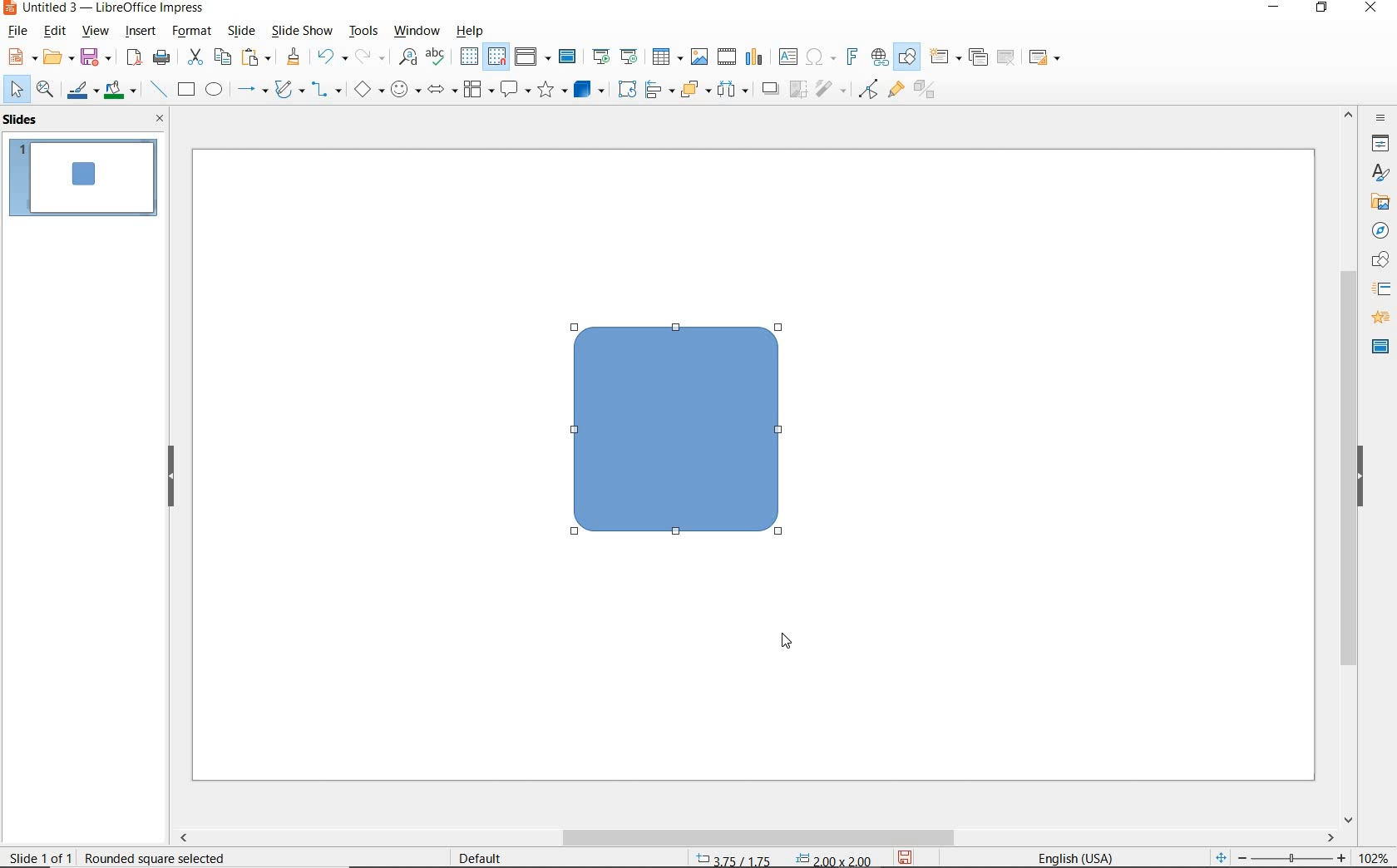 This screenshot has height=868, width=1397. I want to click on shadow, so click(771, 89).